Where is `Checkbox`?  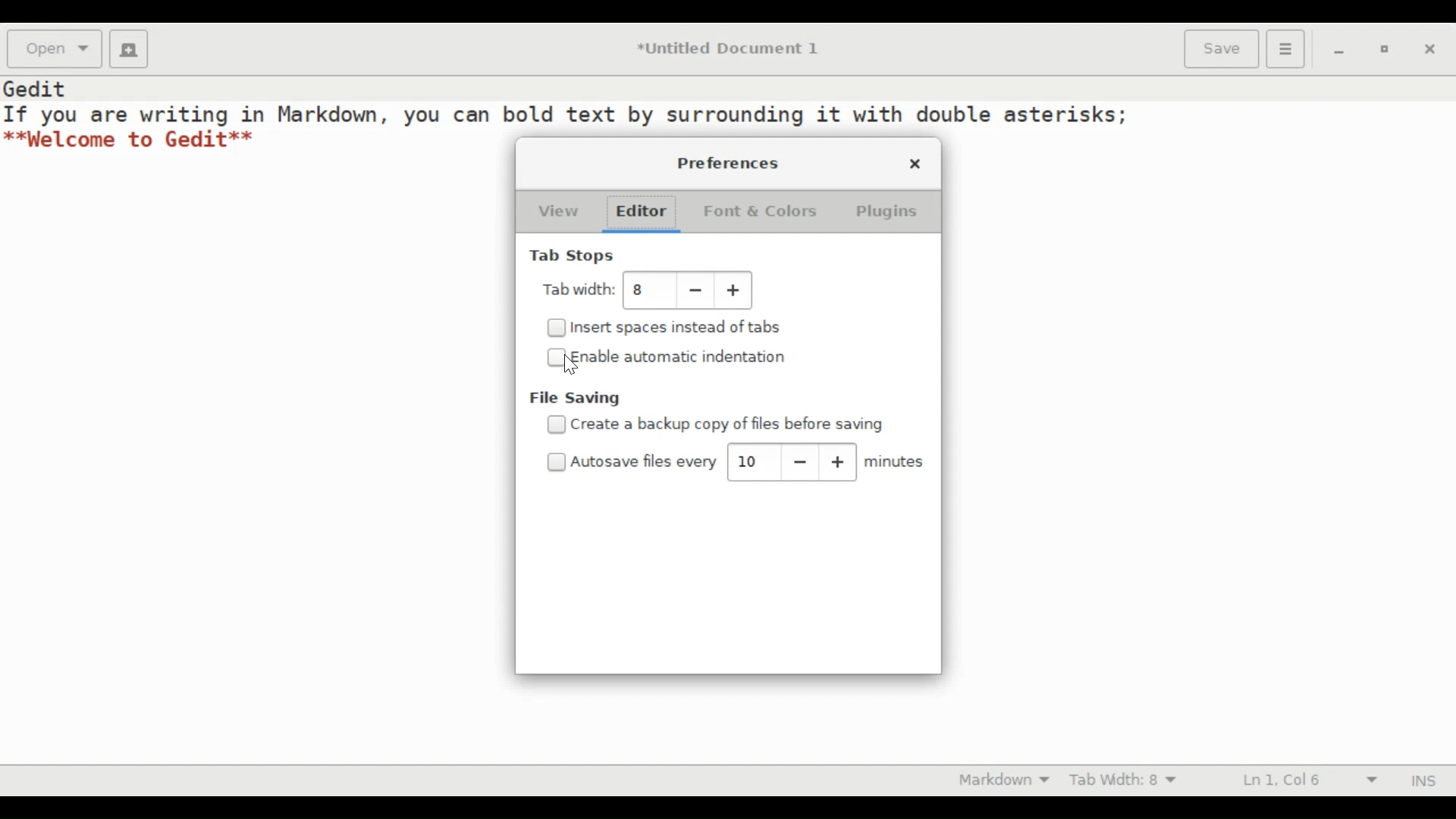
Checkbox is located at coordinates (557, 329).